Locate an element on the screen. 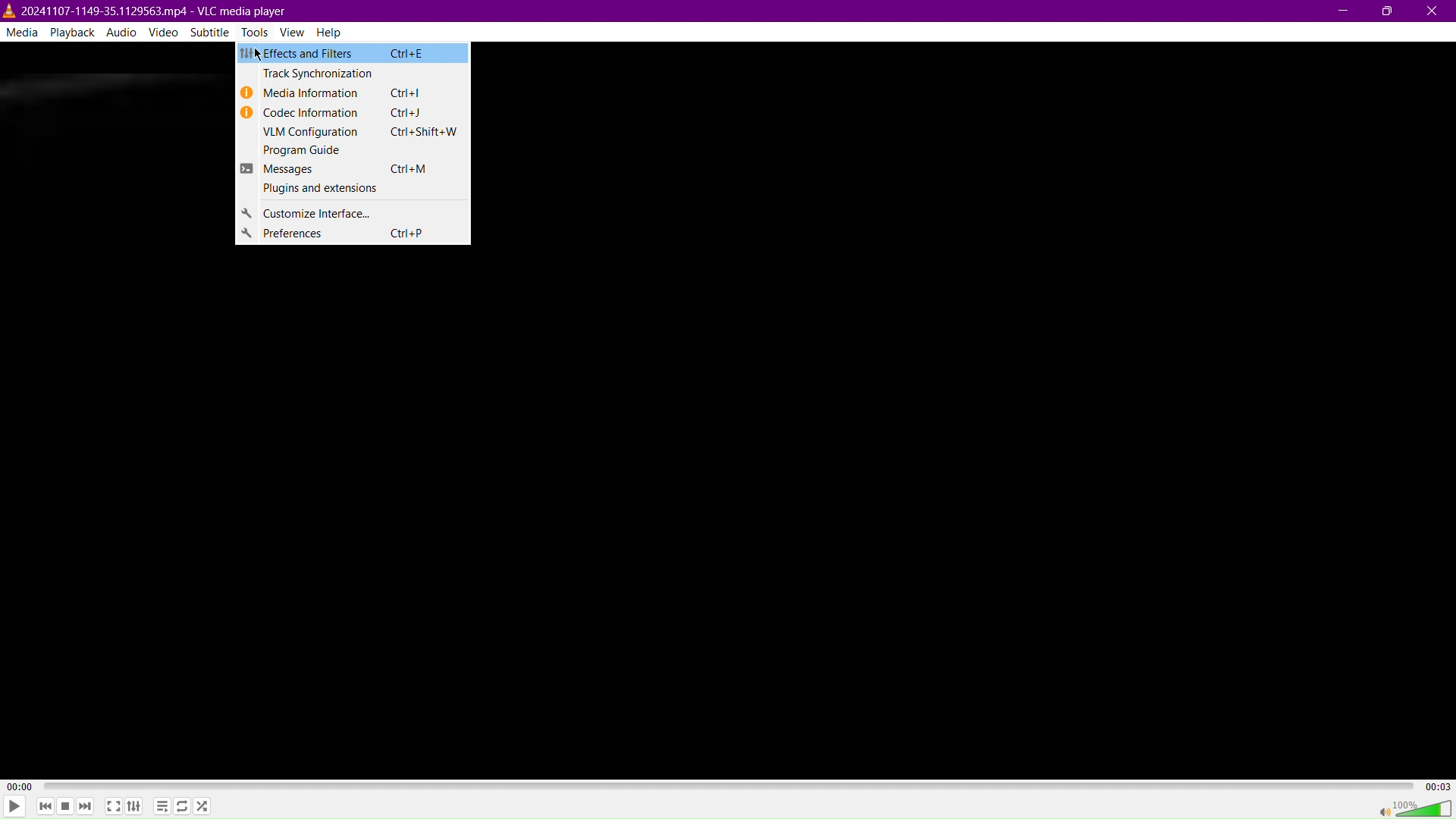 The width and height of the screenshot is (1456, 819). Toggle Loop is located at coordinates (182, 807).